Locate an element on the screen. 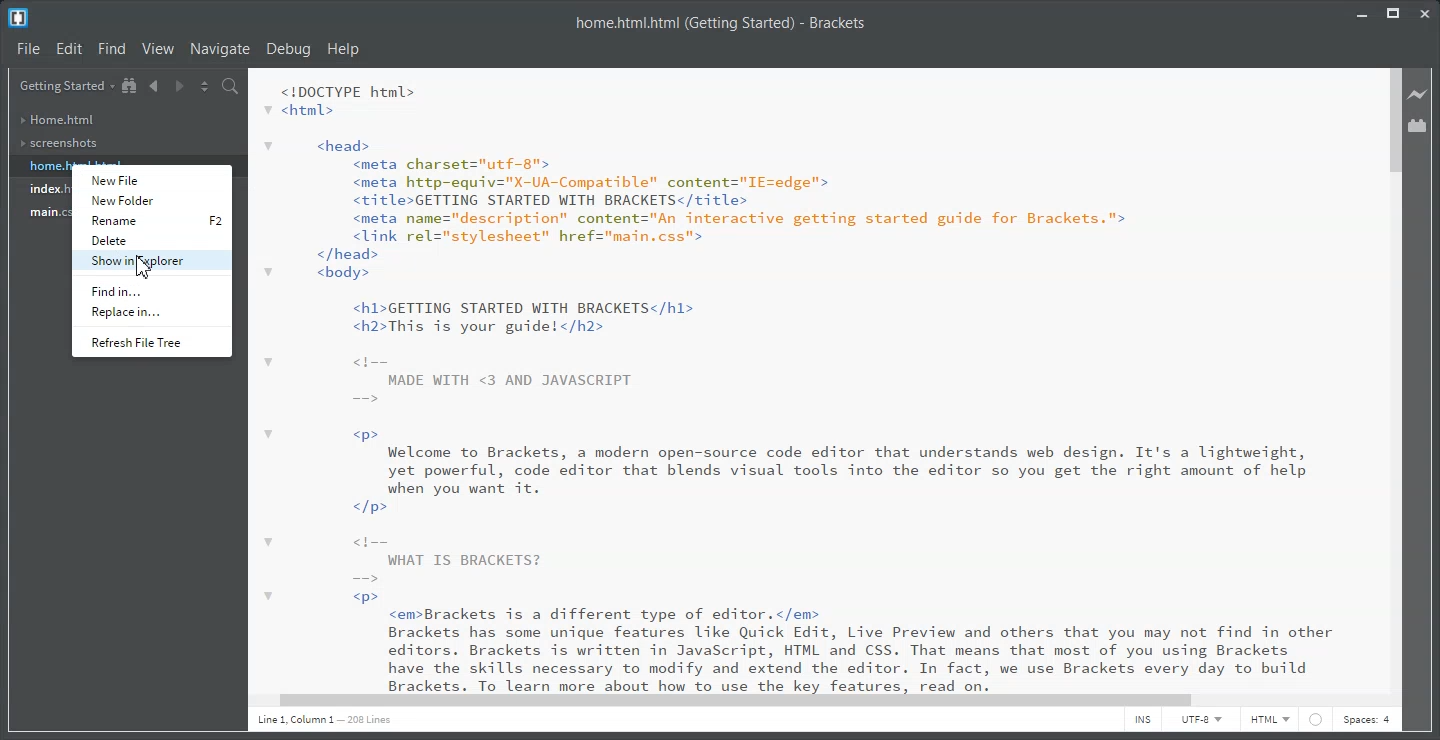  main.css is located at coordinates (46, 213).